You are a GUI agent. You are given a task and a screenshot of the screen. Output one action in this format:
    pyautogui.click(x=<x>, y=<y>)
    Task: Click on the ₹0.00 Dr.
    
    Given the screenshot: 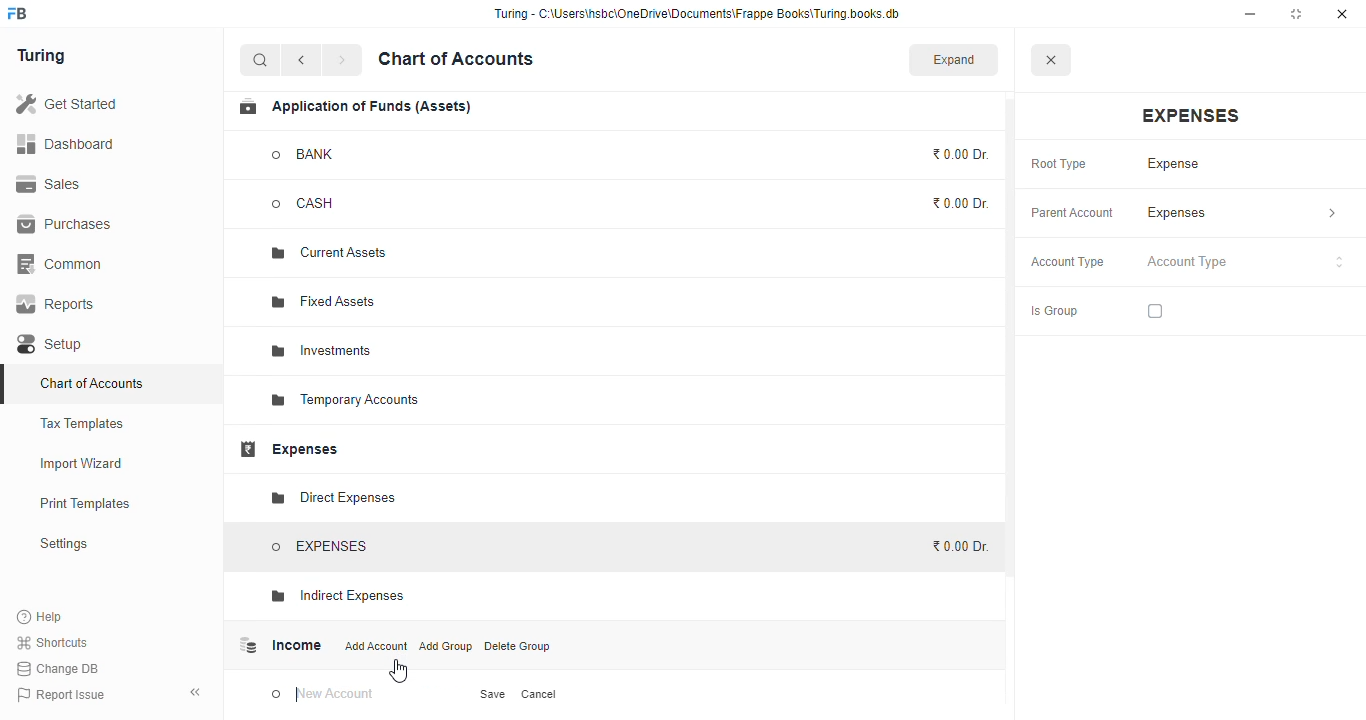 What is the action you would take?
    pyautogui.click(x=962, y=203)
    